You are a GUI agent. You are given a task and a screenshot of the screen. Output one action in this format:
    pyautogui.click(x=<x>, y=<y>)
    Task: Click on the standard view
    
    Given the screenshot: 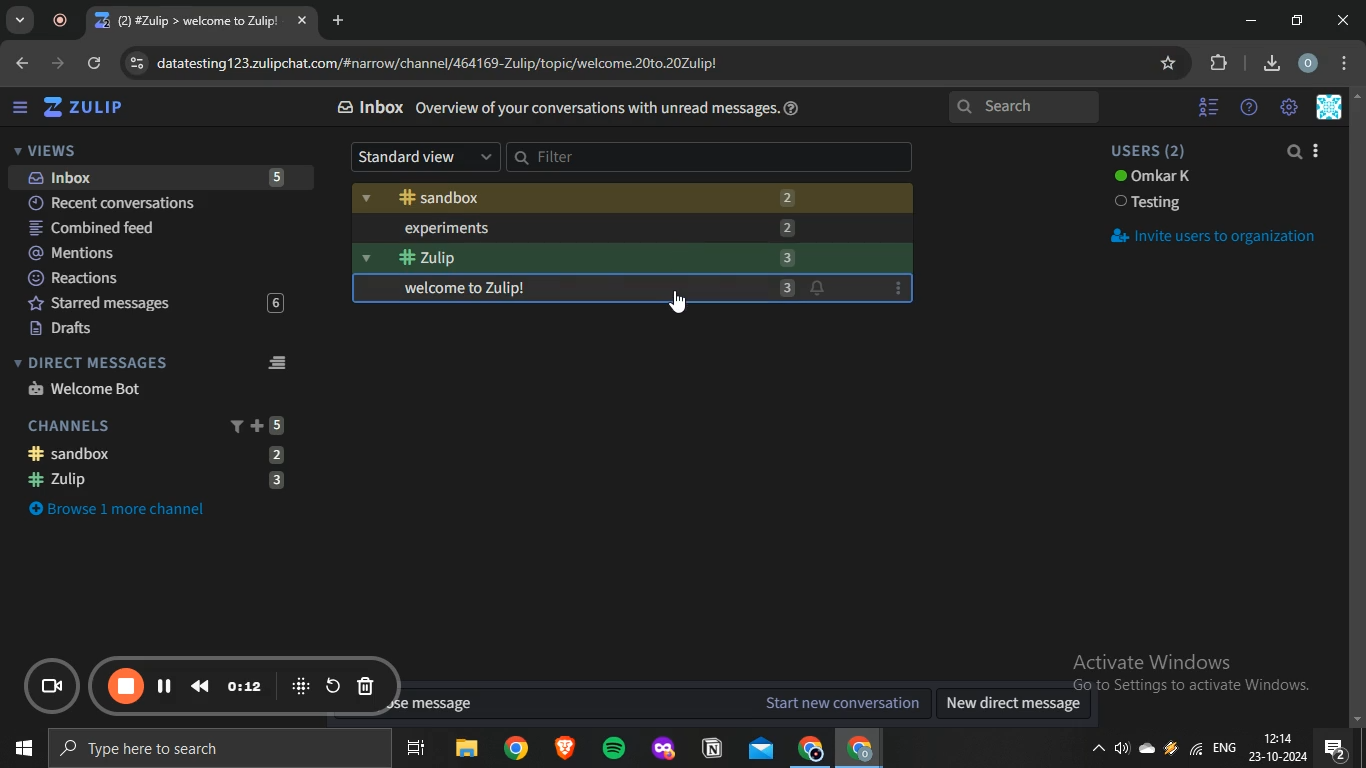 What is the action you would take?
    pyautogui.click(x=425, y=157)
    